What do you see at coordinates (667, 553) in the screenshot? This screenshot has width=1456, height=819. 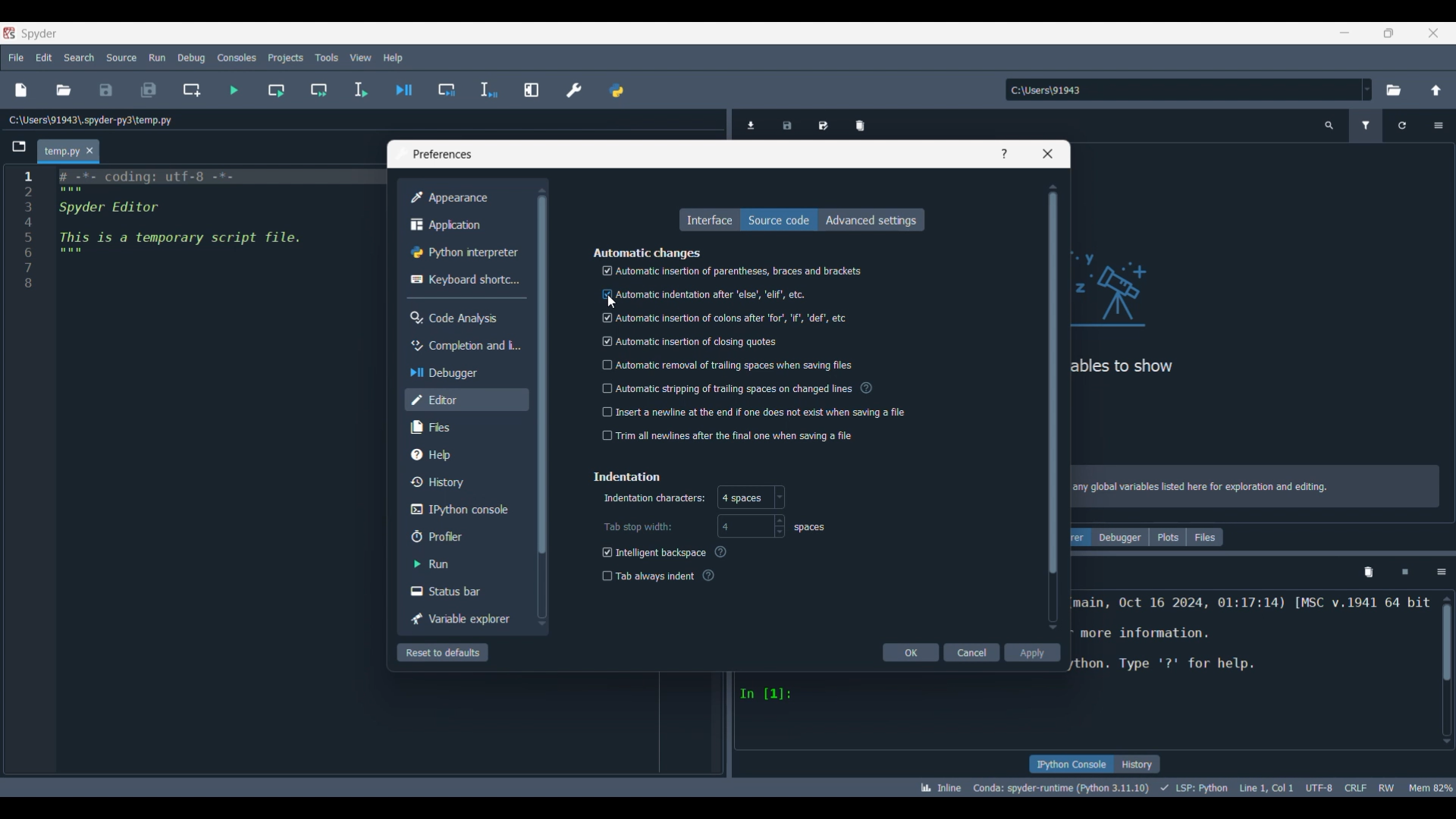 I see `Intelligent backspace (?)` at bounding box center [667, 553].